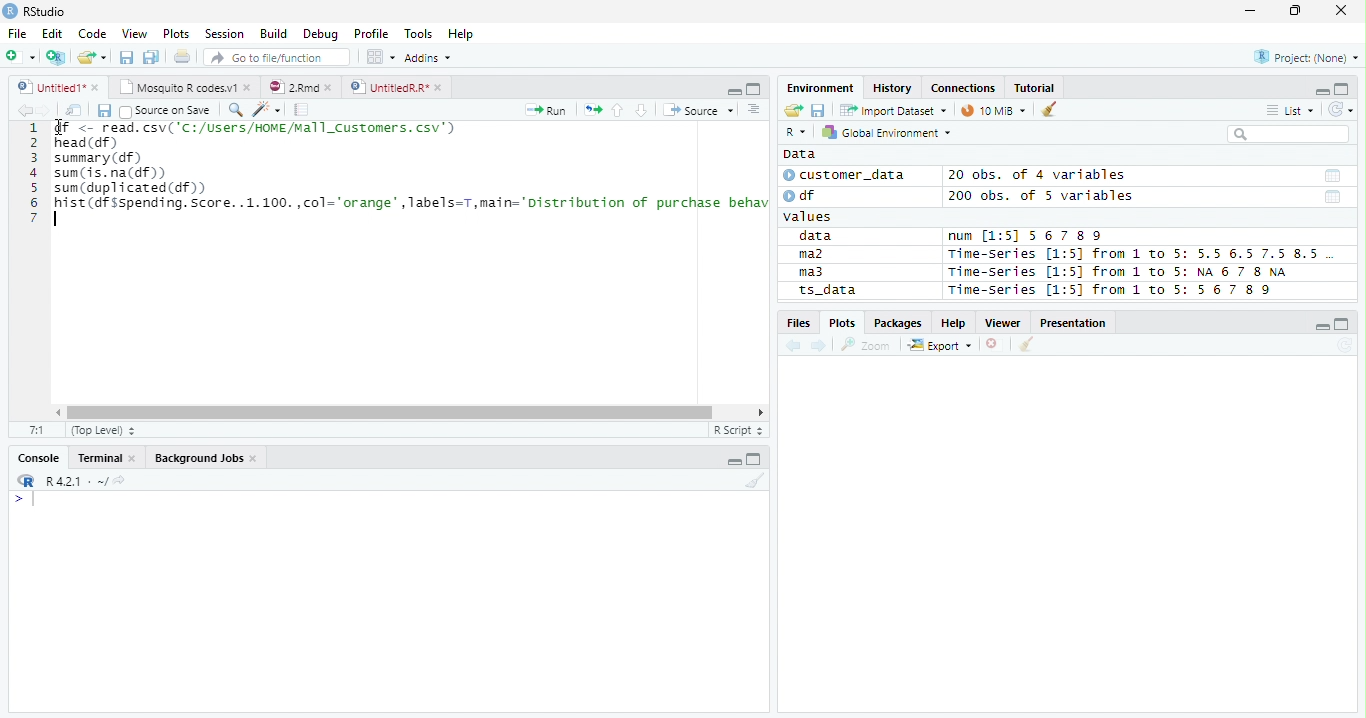 The width and height of the screenshot is (1366, 718). What do you see at coordinates (39, 456) in the screenshot?
I see `Console` at bounding box center [39, 456].